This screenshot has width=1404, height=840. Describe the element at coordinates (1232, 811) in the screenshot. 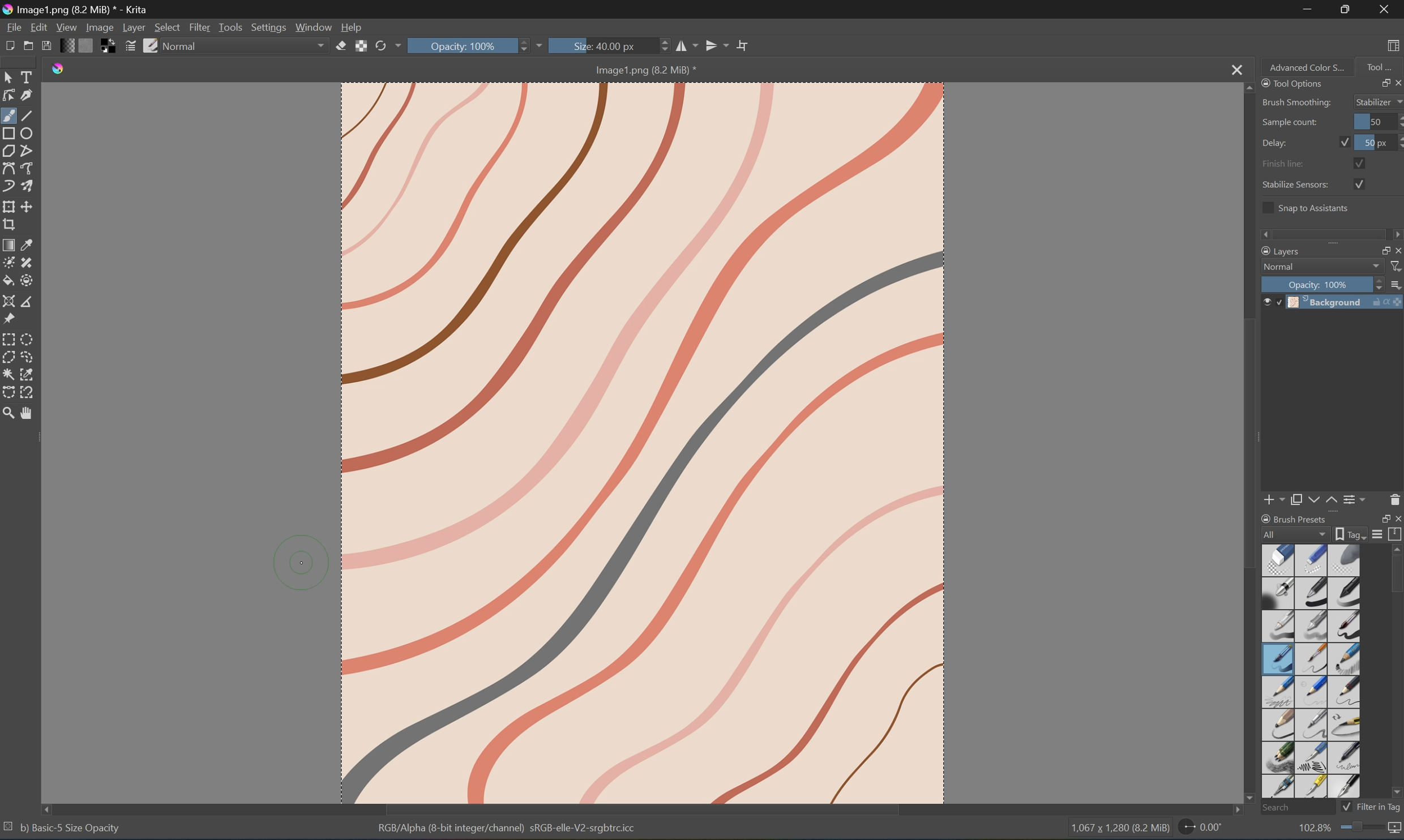

I see `Scroll Right` at that location.